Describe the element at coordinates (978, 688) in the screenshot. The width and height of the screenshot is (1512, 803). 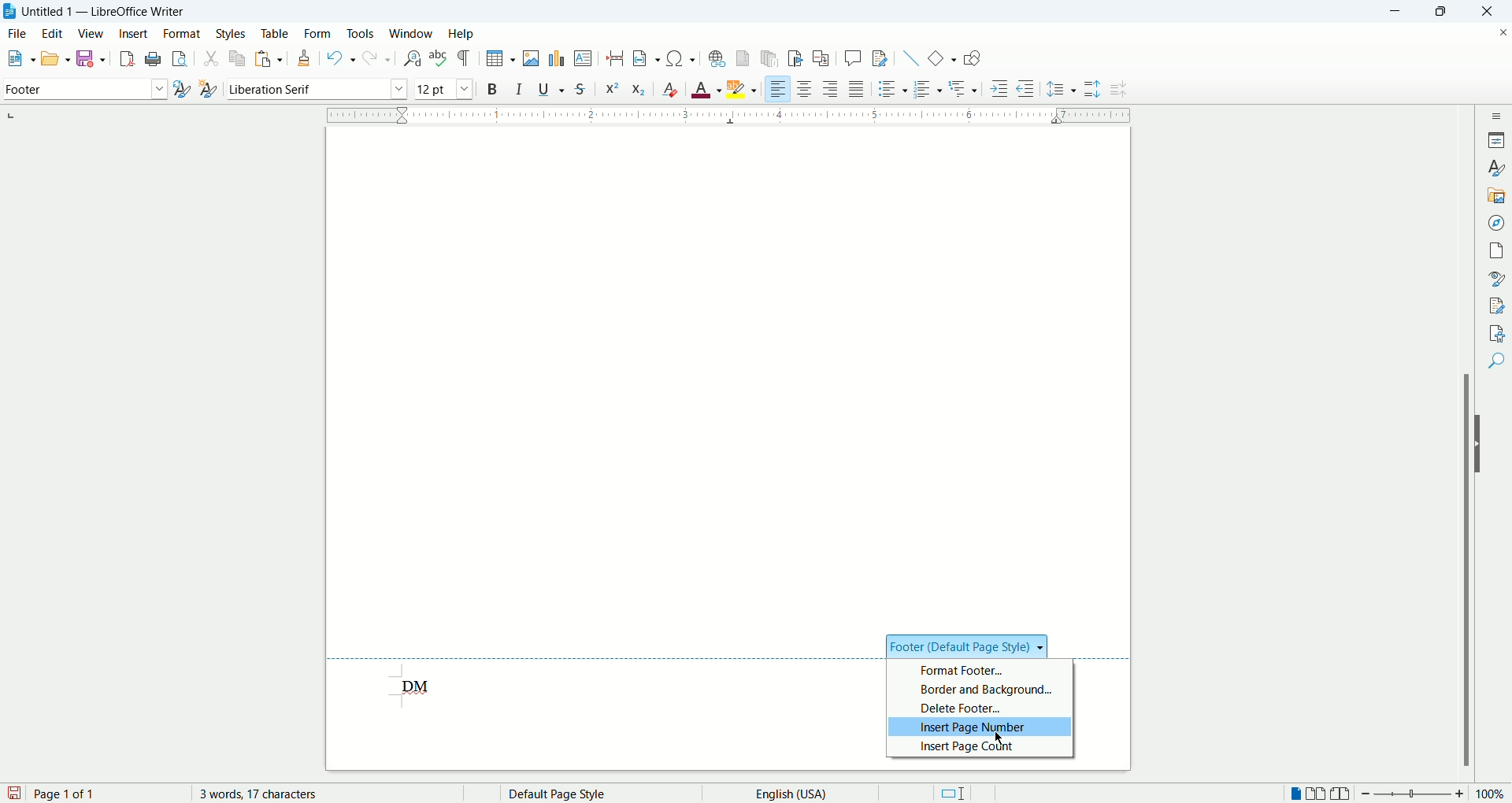
I see `border and background` at that location.